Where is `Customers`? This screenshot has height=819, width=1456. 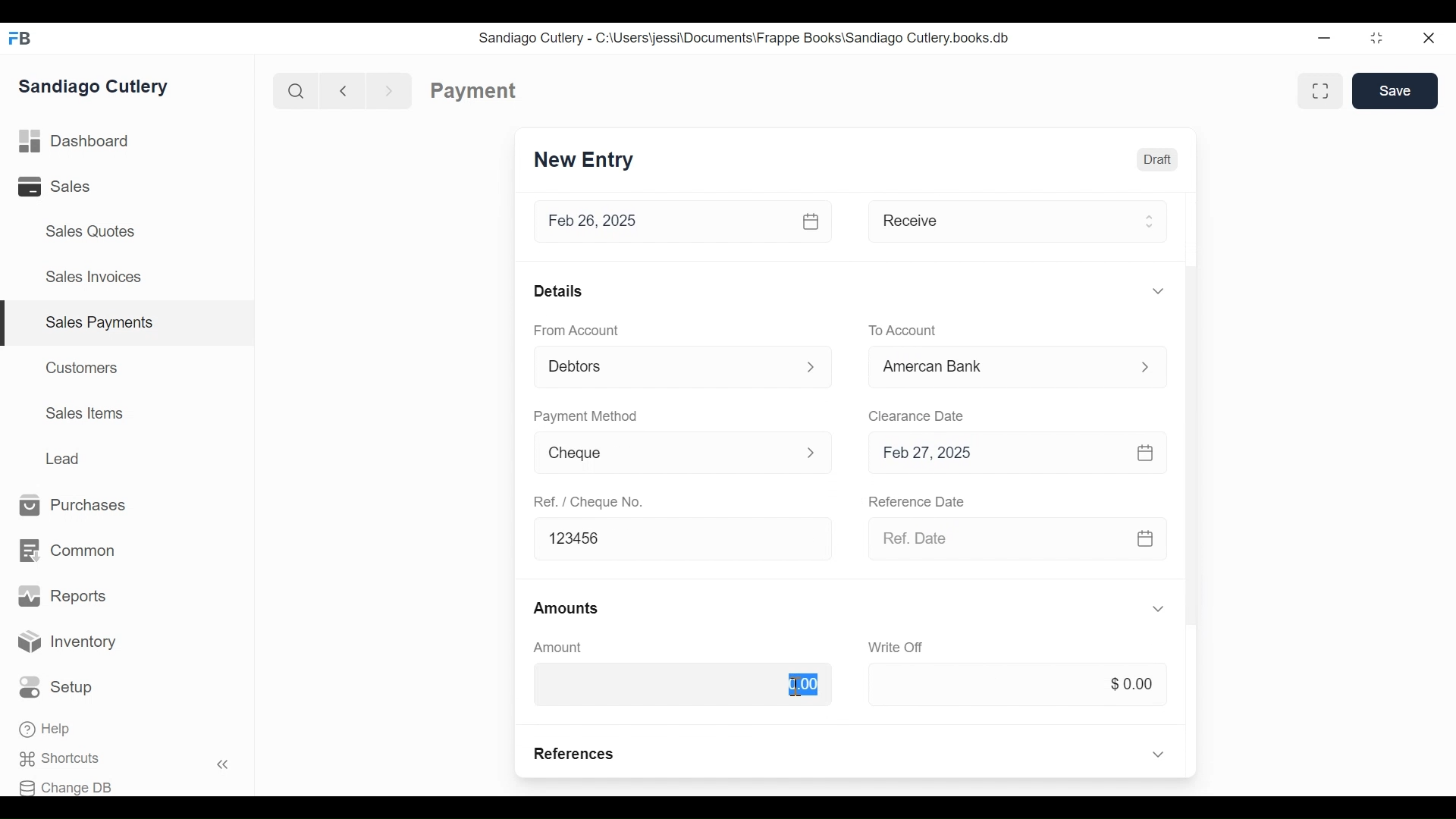
Customers is located at coordinates (83, 367).